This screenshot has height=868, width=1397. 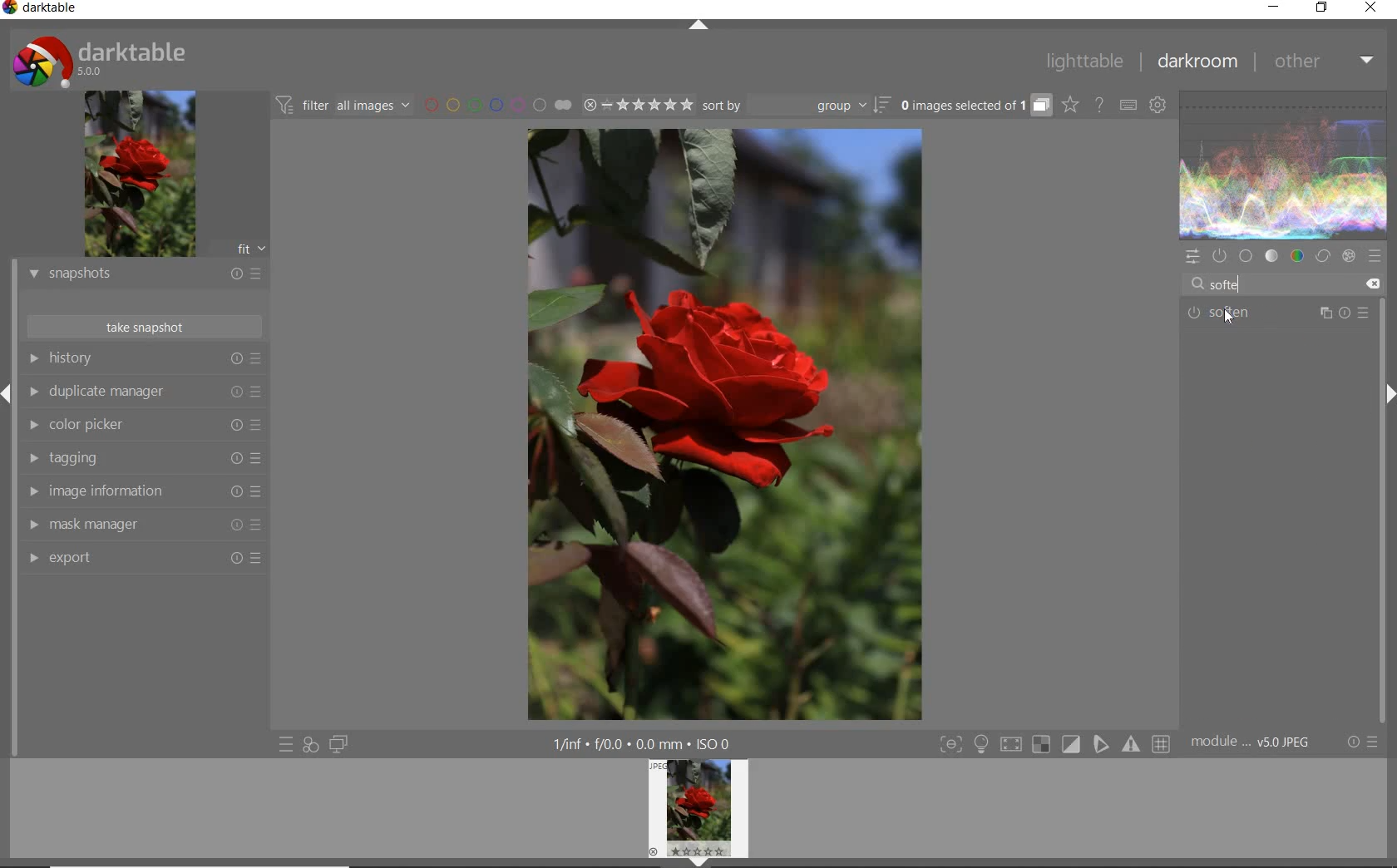 What do you see at coordinates (1281, 312) in the screenshot?
I see `soften` at bounding box center [1281, 312].